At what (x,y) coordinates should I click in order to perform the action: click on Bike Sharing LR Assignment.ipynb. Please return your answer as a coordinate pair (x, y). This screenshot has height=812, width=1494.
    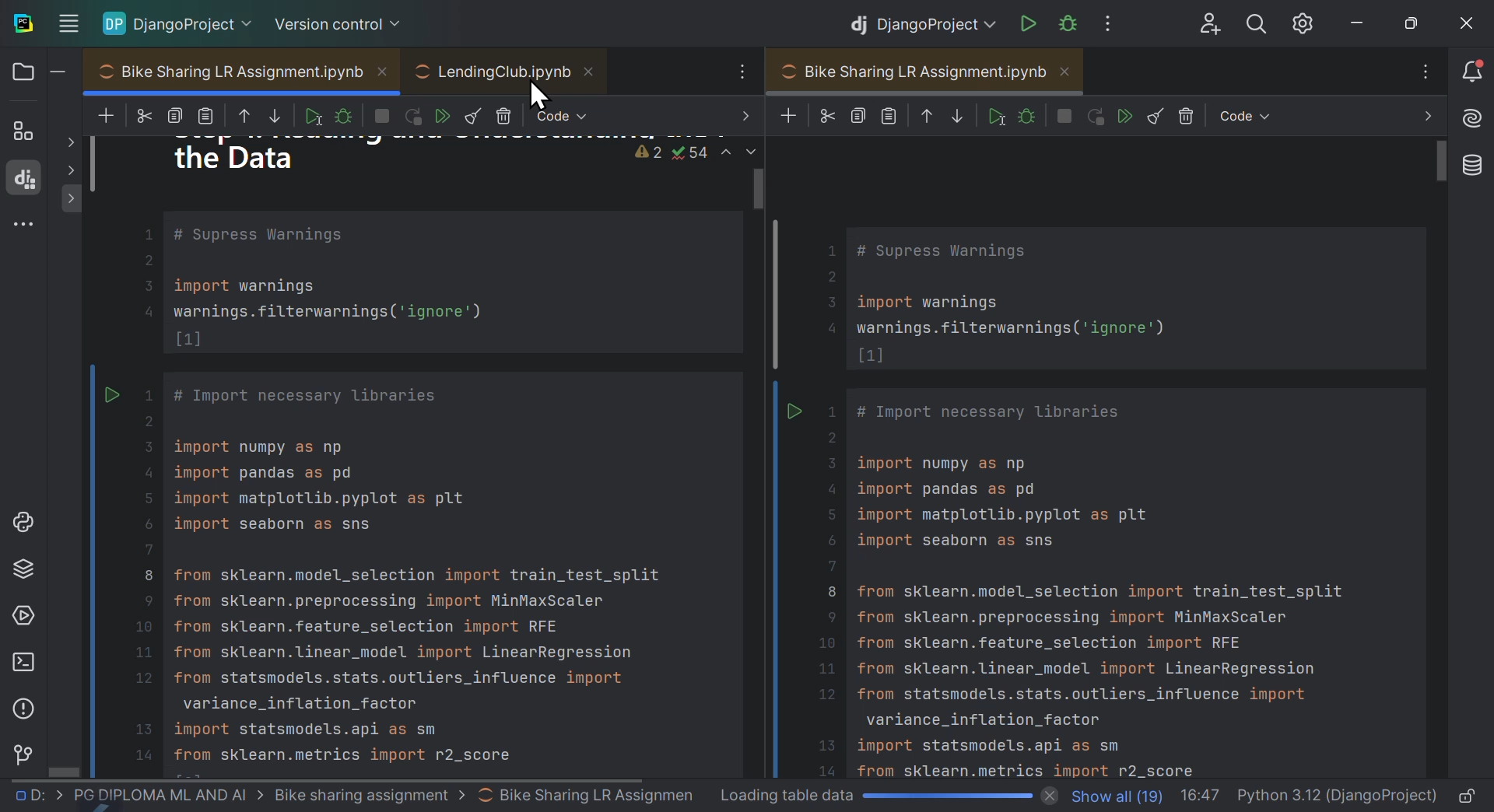
    Looking at the image, I should click on (927, 71).